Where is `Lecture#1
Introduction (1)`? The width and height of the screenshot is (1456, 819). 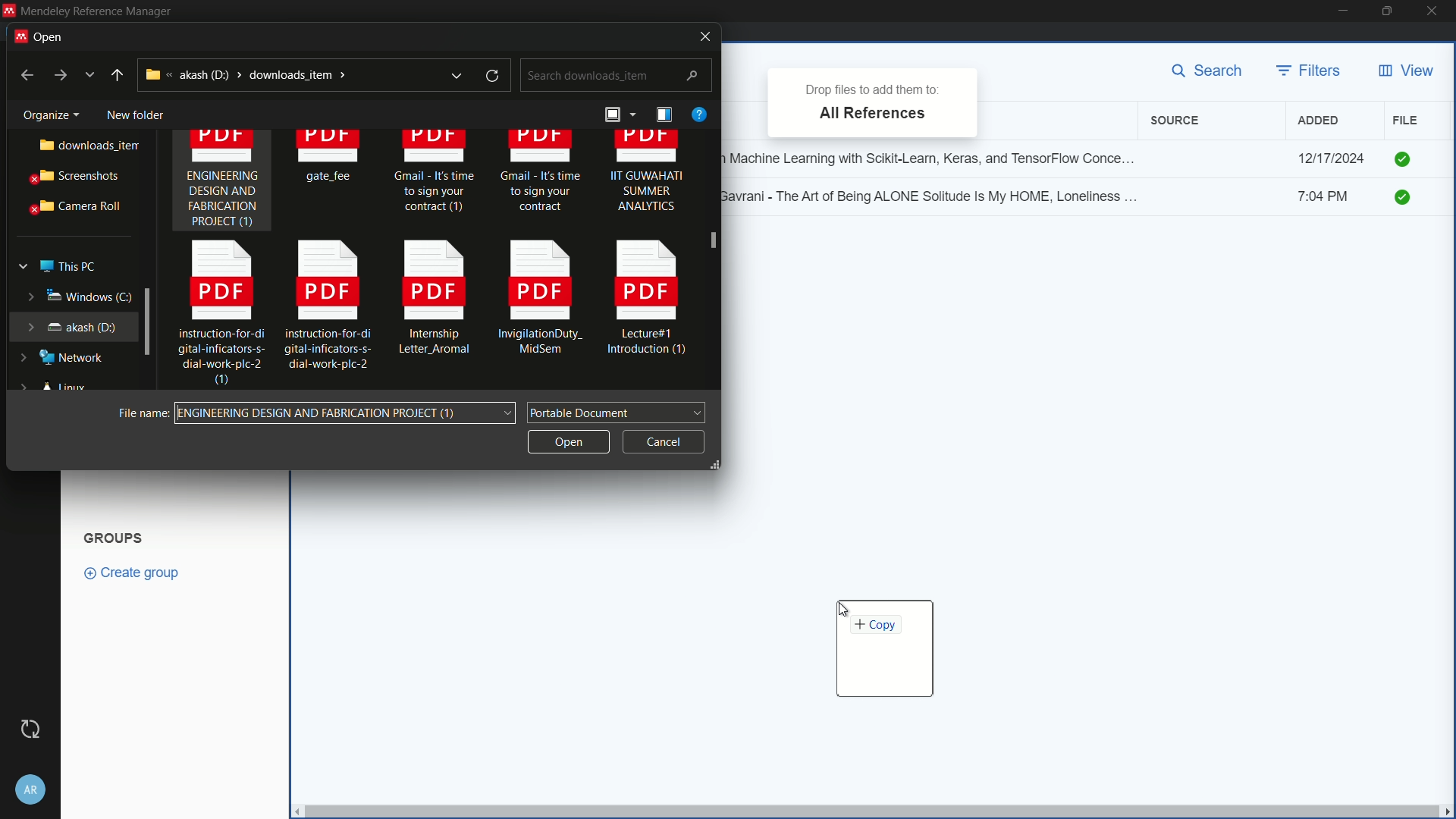 Lecture#1
Introduction (1) is located at coordinates (649, 302).